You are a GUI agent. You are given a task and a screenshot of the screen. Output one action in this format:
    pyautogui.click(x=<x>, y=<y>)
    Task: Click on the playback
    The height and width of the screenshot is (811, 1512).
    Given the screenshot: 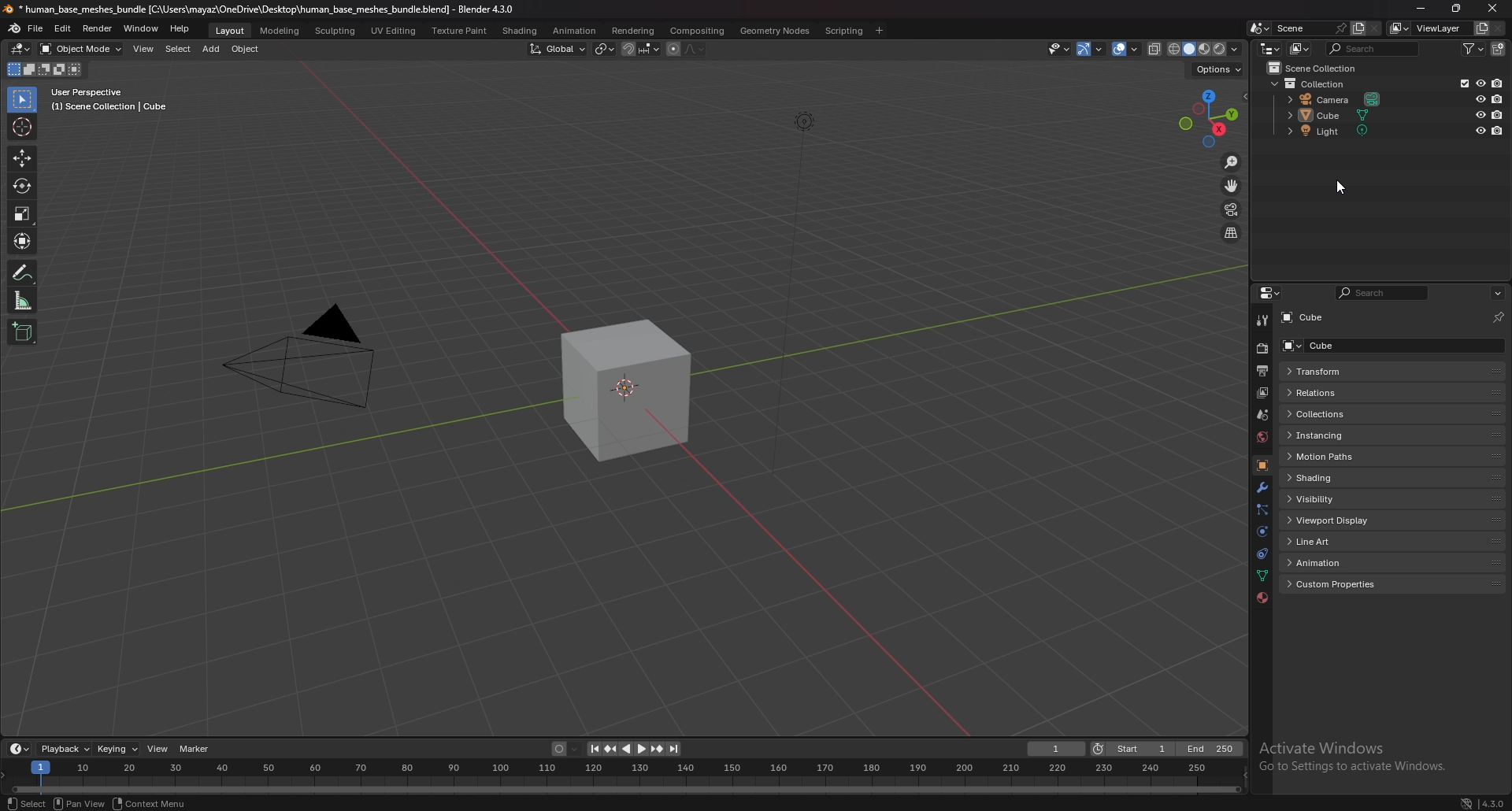 What is the action you would take?
    pyautogui.click(x=65, y=749)
    